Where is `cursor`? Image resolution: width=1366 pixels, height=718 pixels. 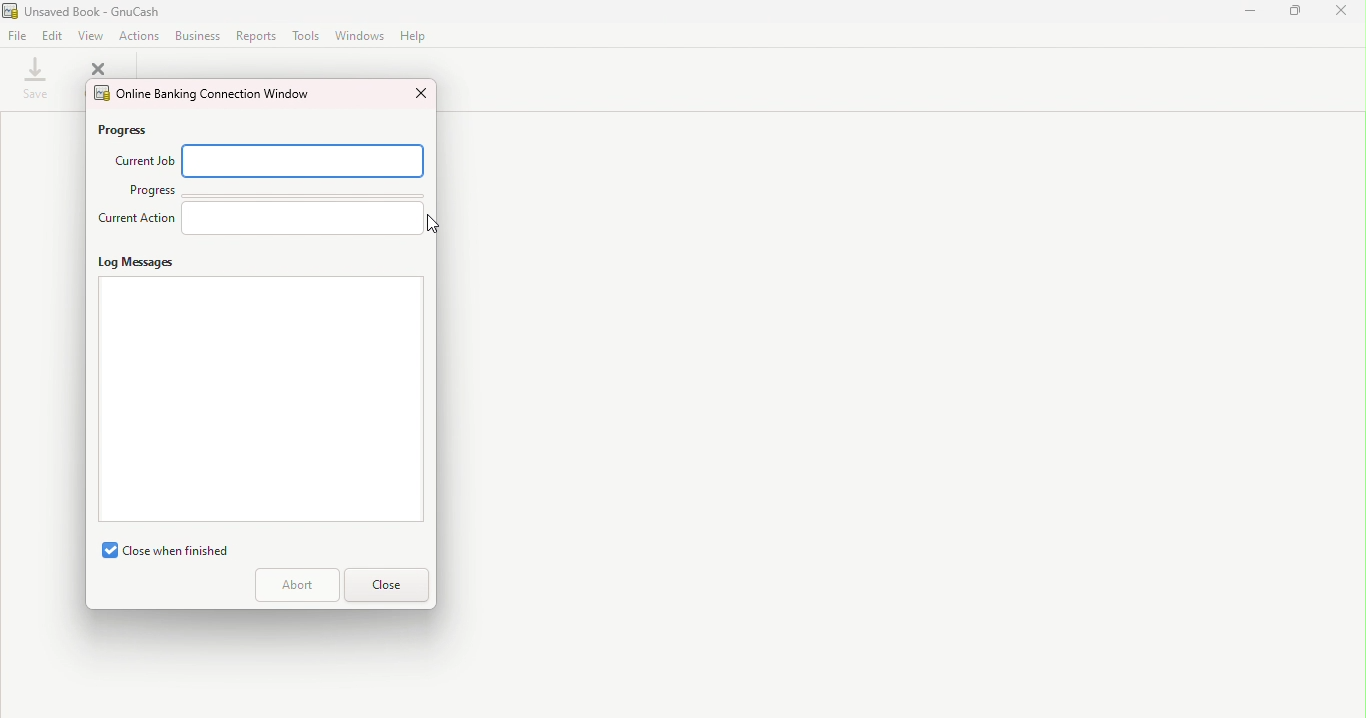 cursor is located at coordinates (434, 225).